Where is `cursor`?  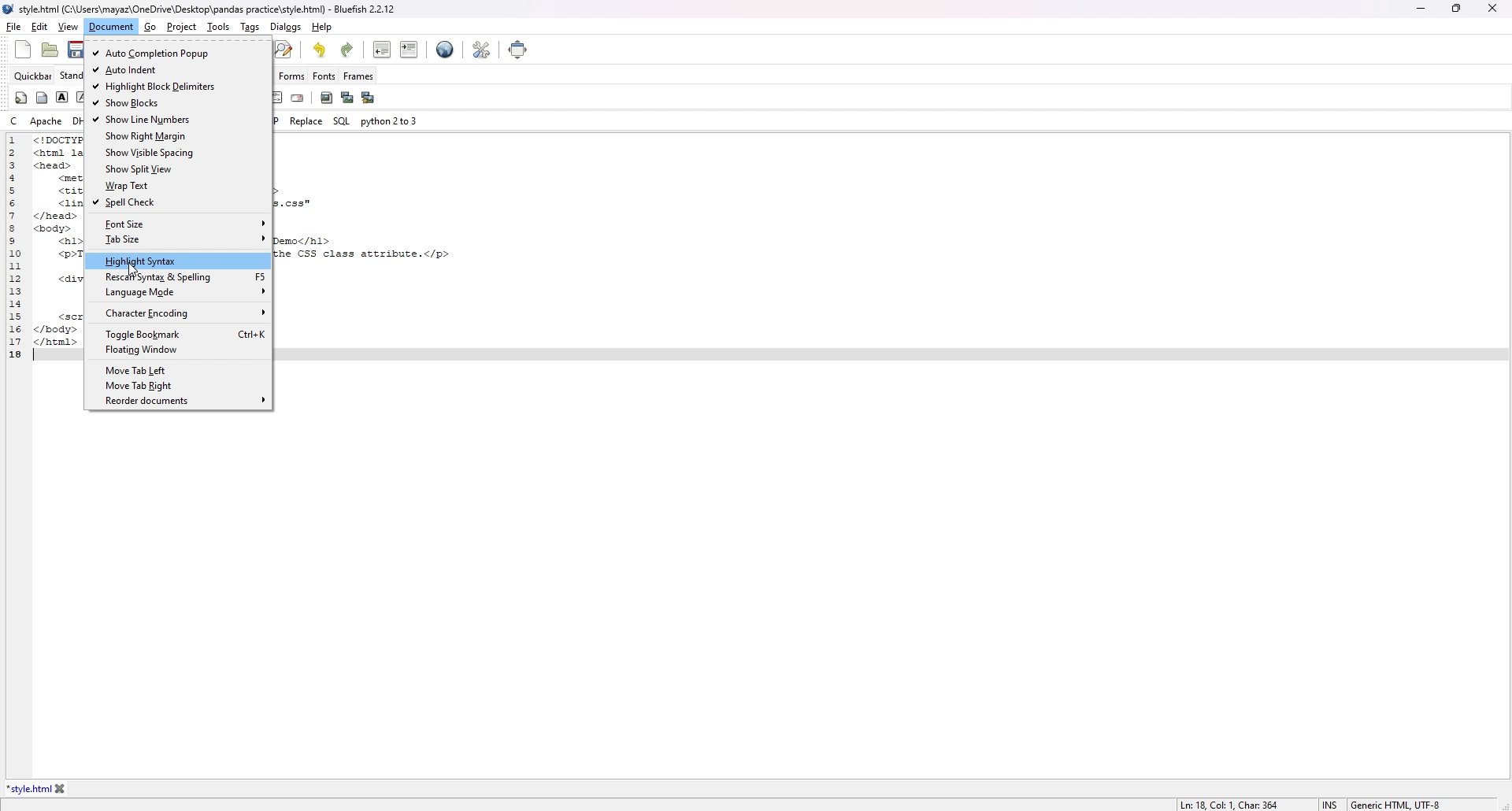 cursor is located at coordinates (135, 268).